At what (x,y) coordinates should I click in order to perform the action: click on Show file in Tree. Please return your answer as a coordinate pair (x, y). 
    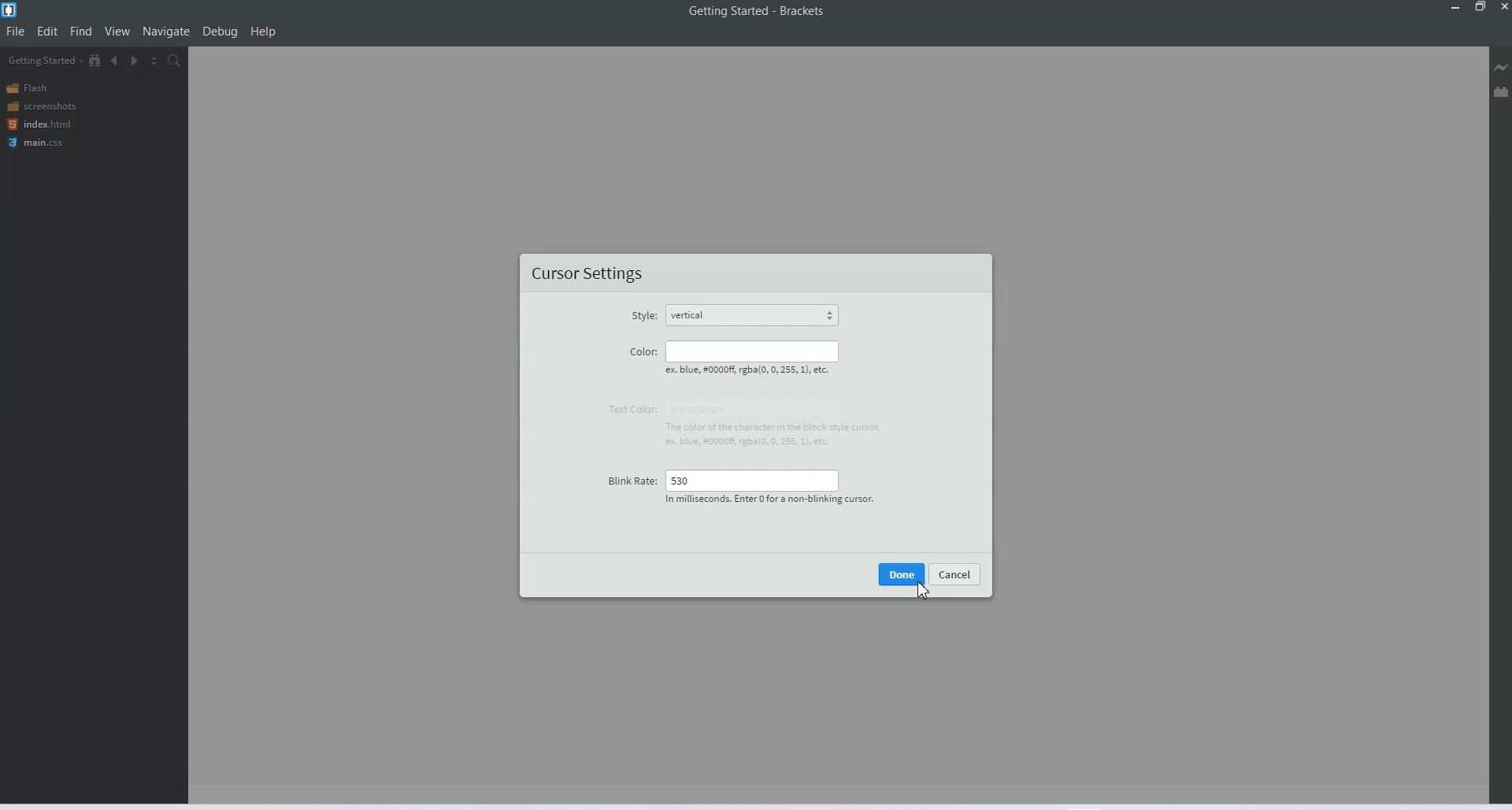
    Looking at the image, I should click on (95, 59).